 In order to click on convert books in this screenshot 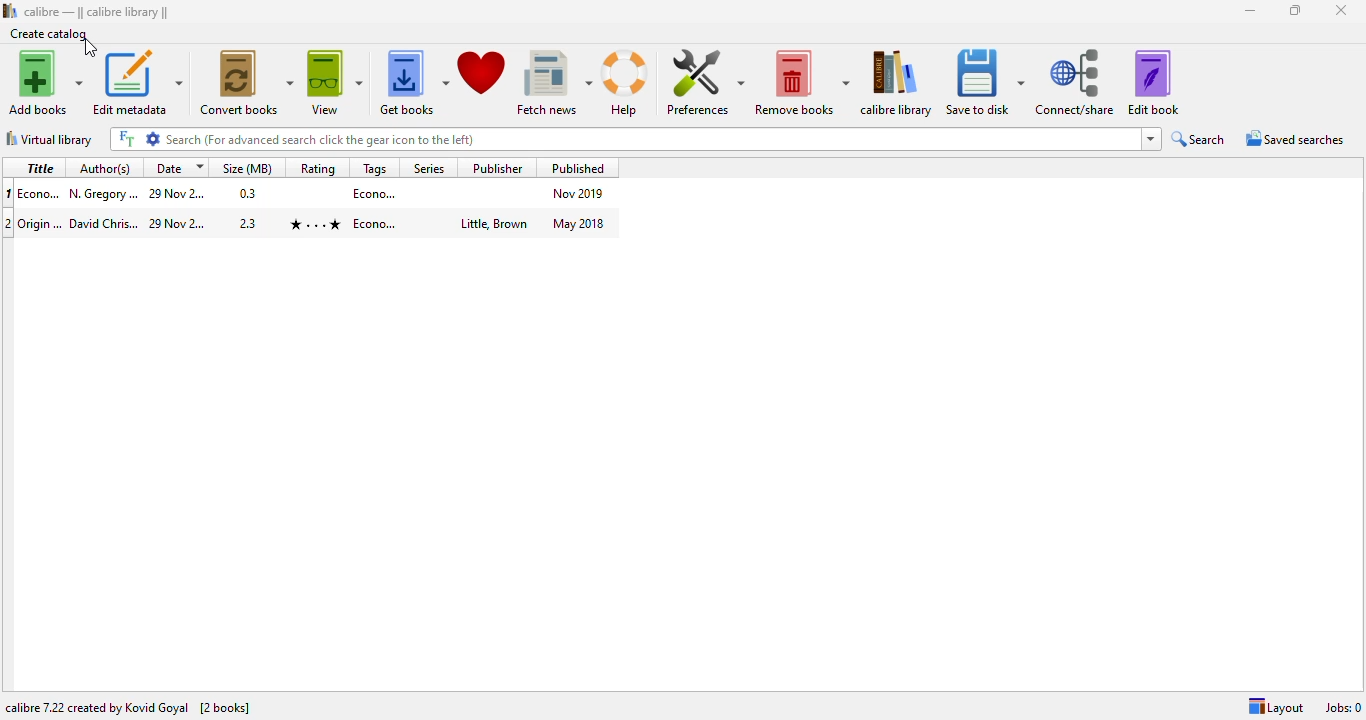, I will do `click(245, 82)`.